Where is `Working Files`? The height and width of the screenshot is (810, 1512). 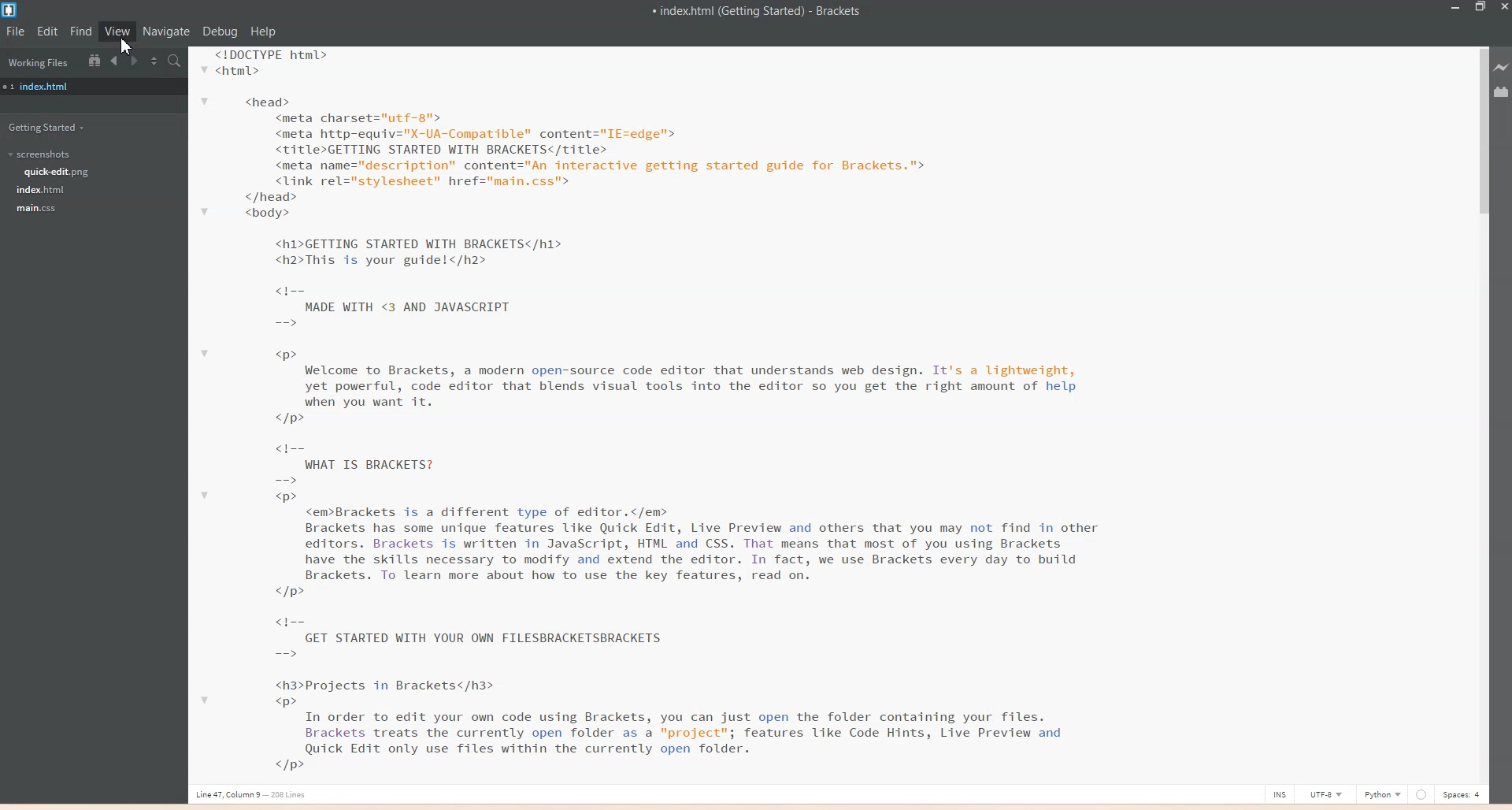 Working Files is located at coordinates (39, 63).